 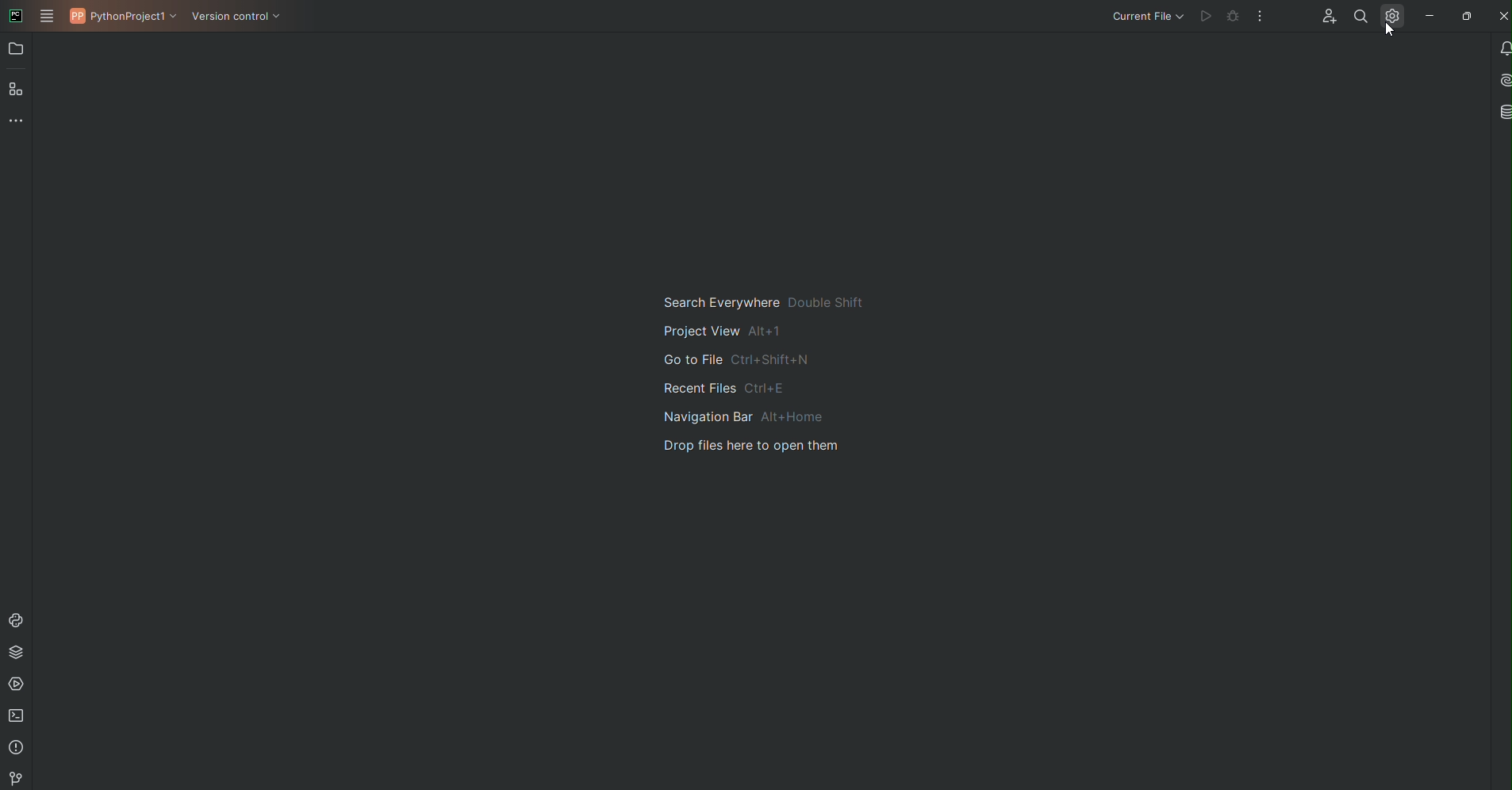 What do you see at coordinates (753, 445) in the screenshot?
I see `drop files here to open them` at bounding box center [753, 445].